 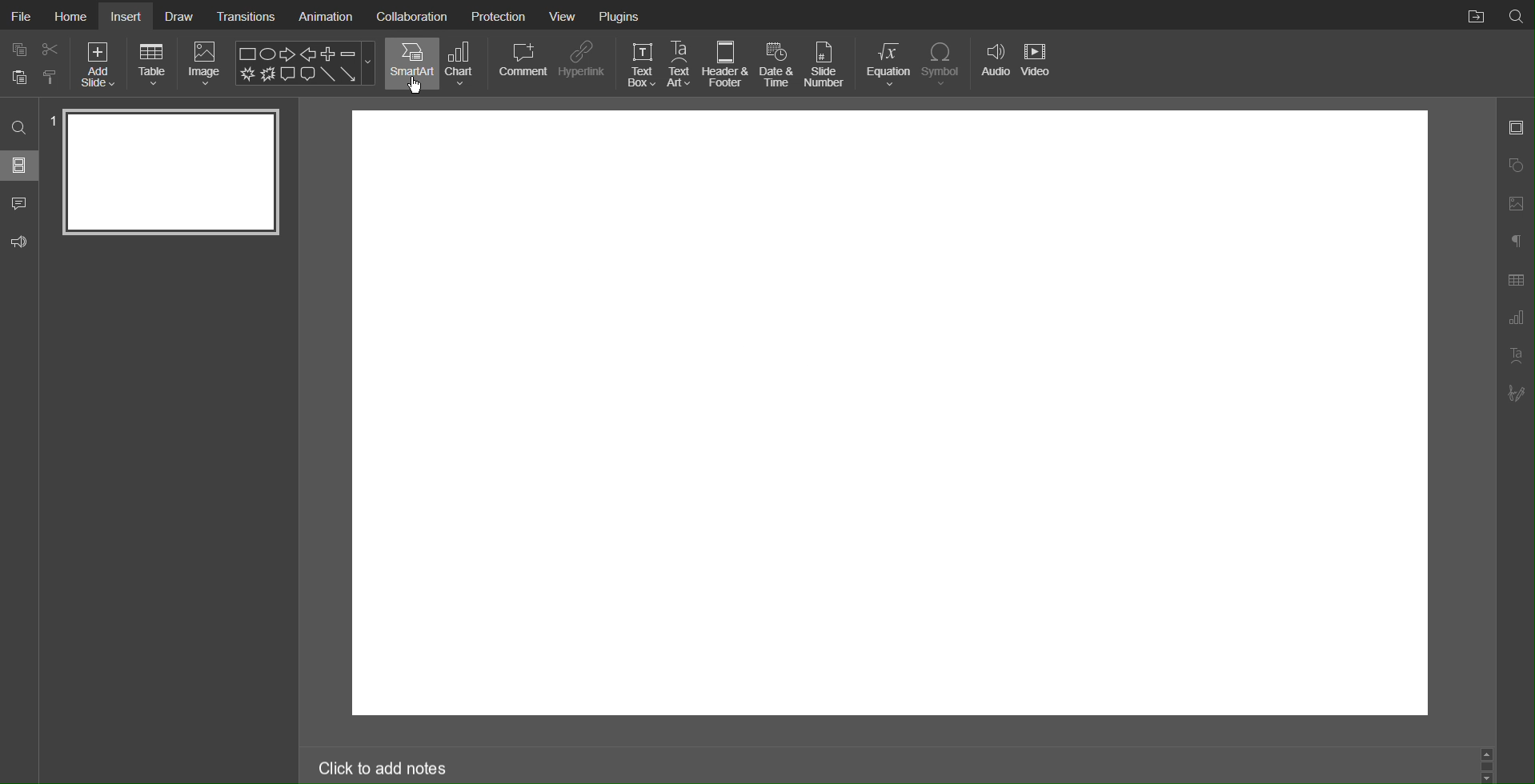 What do you see at coordinates (1516, 15) in the screenshot?
I see `Search` at bounding box center [1516, 15].